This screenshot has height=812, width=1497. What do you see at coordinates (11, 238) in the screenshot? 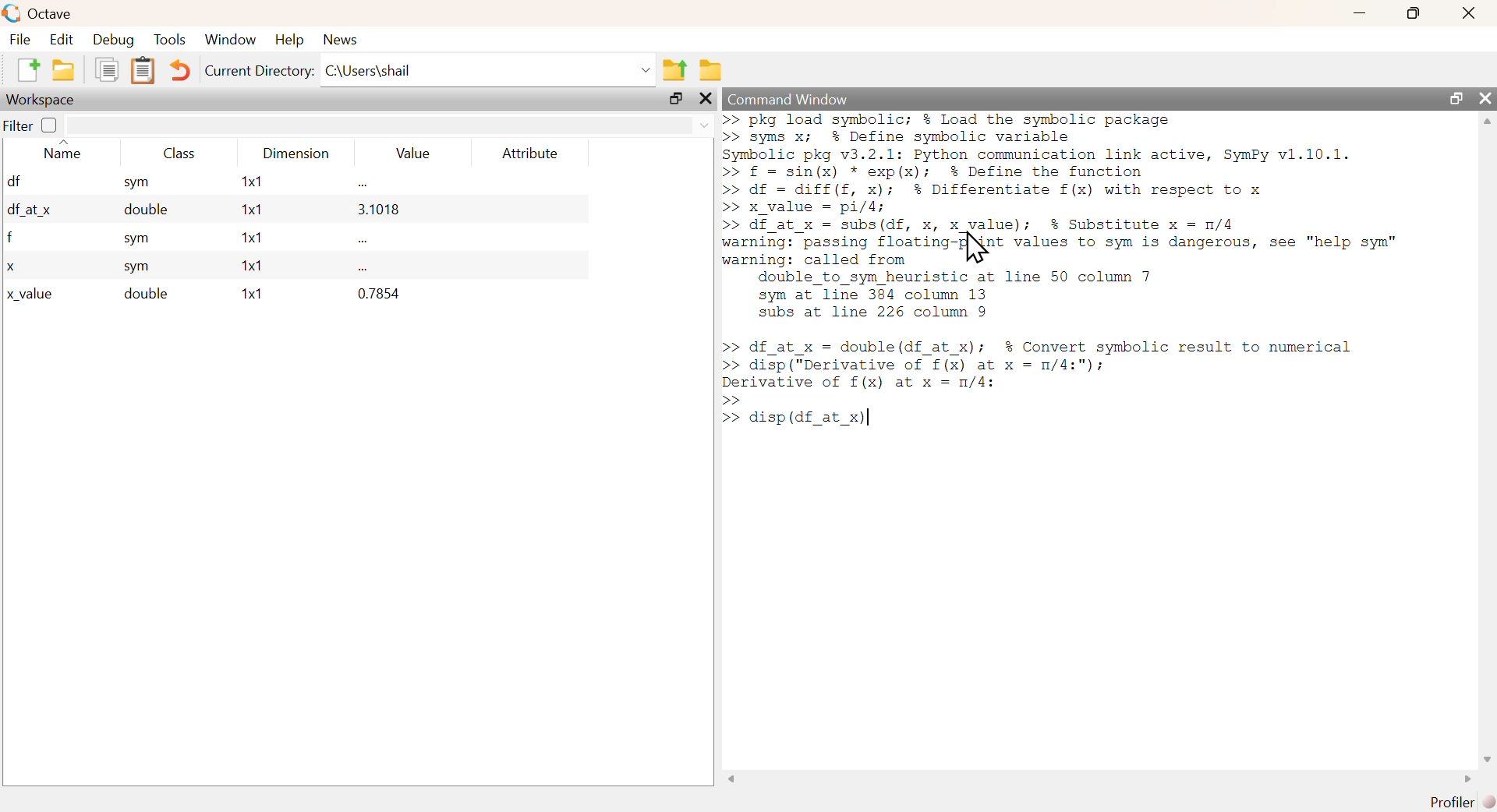
I see `f` at bounding box center [11, 238].